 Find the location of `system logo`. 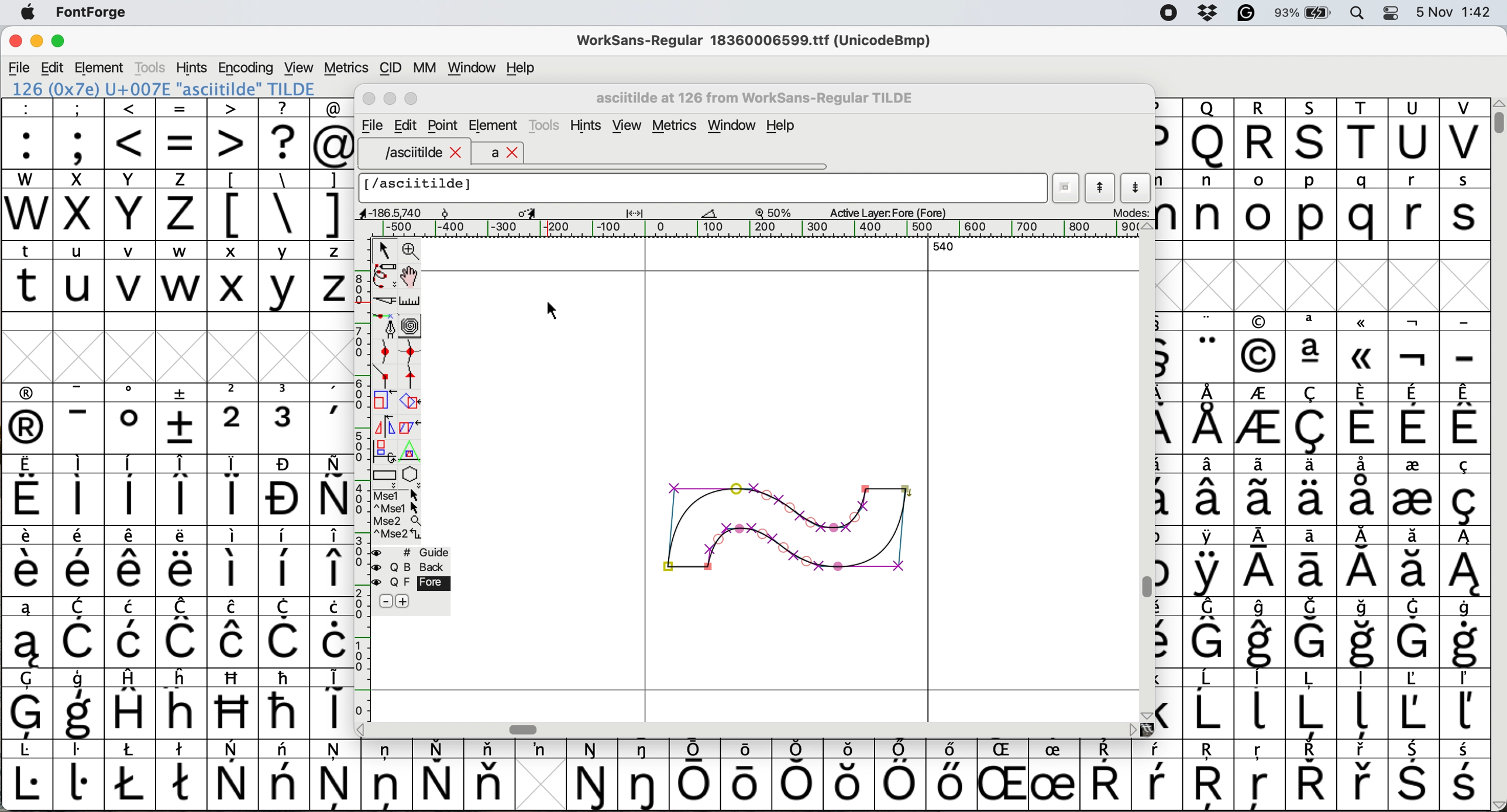

system logo is located at coordinates (27, 13).